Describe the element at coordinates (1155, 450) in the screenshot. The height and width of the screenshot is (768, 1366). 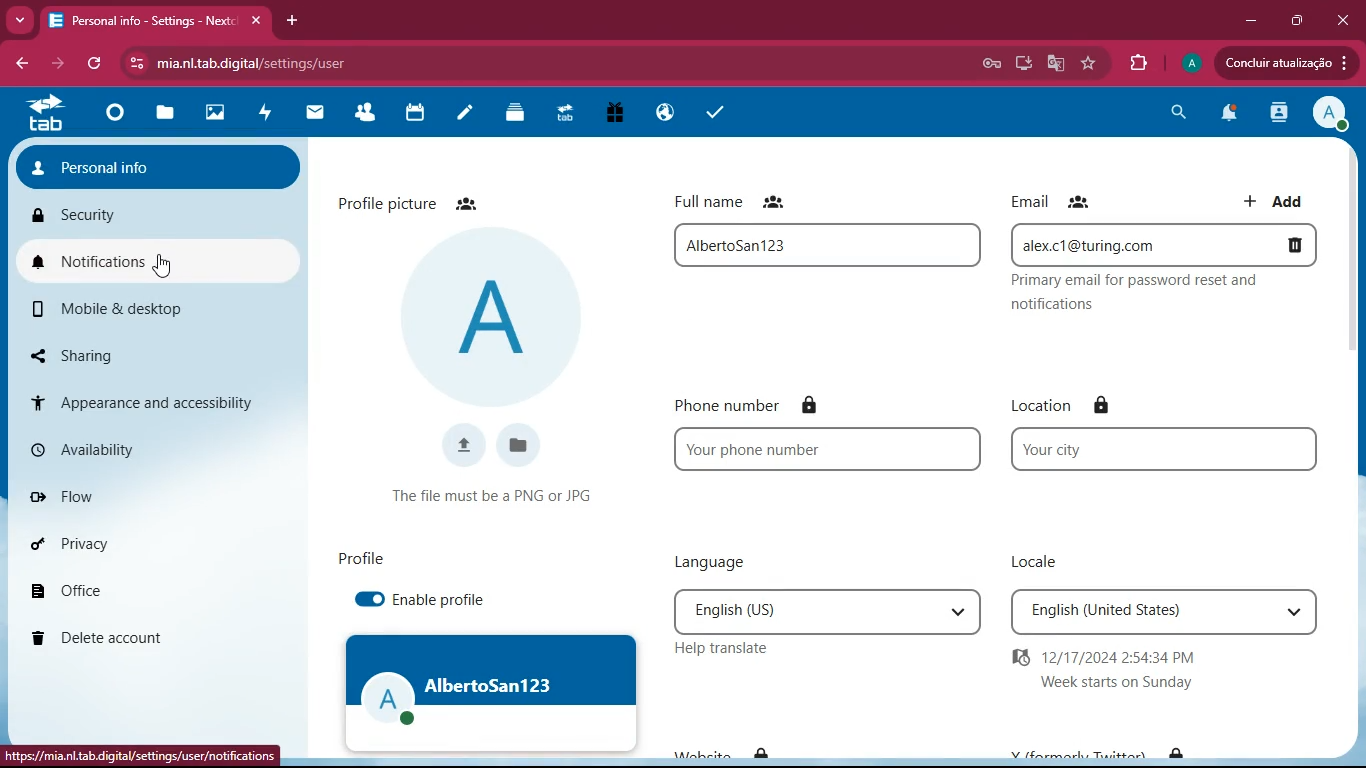
I see `location` at that location.